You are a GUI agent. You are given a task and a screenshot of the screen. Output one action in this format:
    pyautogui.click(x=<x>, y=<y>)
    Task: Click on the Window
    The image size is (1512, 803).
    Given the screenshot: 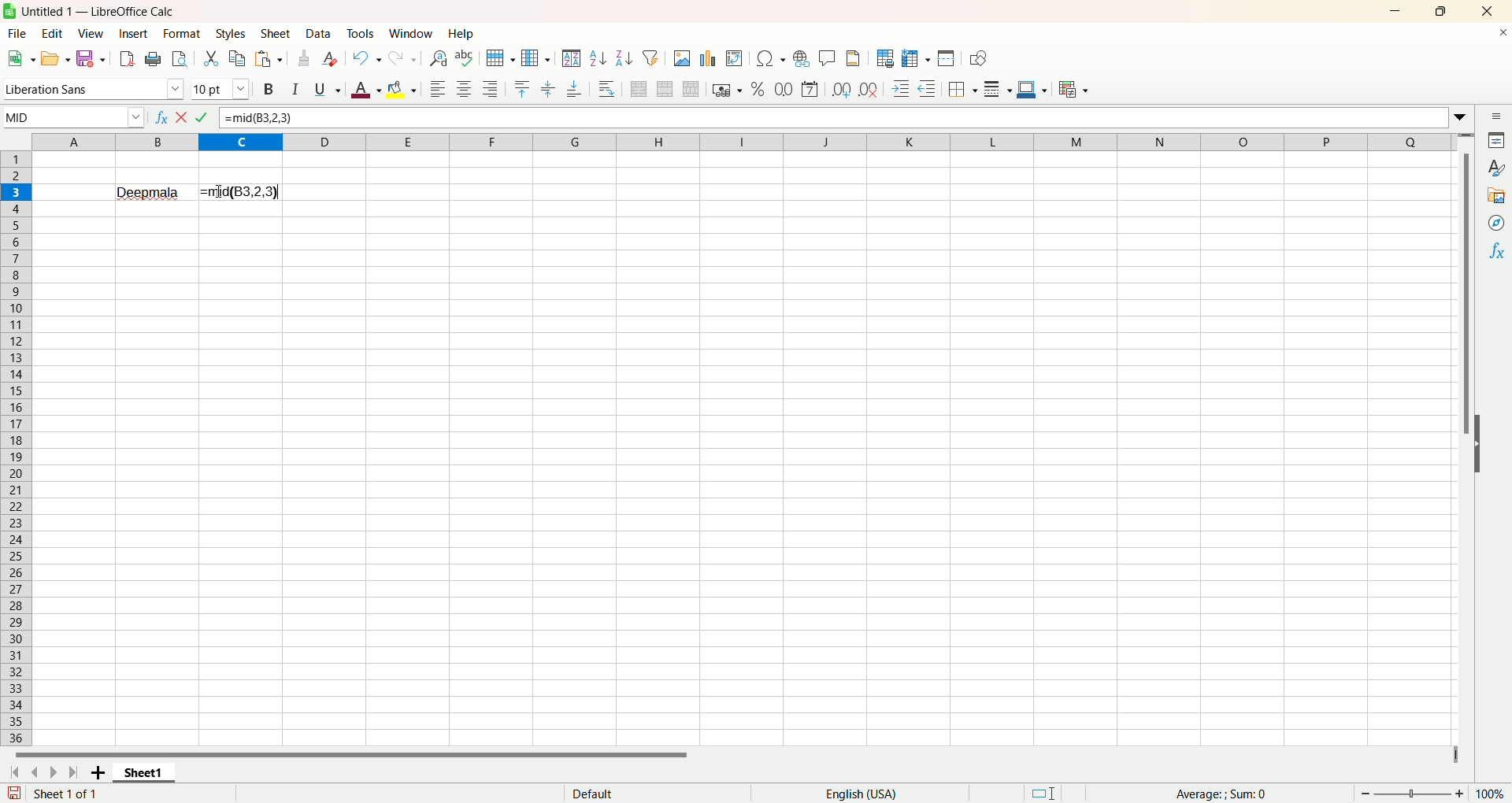 What is the action you would take?
    pyautogui.click(x=412, y=33)
    